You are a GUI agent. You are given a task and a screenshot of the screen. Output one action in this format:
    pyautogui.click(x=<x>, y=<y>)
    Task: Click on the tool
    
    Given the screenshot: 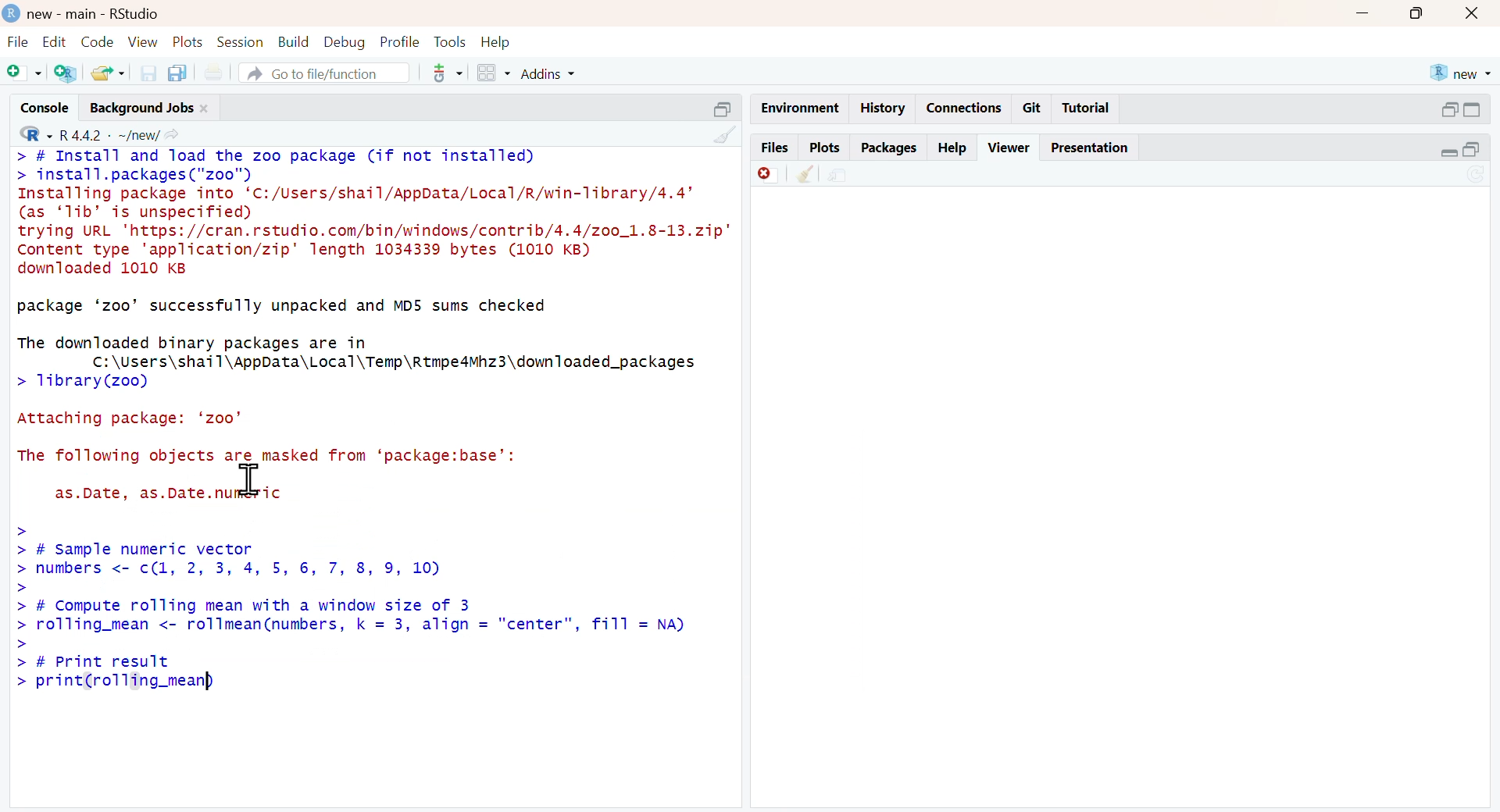 What is the action you would take?
    pyautogui.click(x=448, y=73)
    